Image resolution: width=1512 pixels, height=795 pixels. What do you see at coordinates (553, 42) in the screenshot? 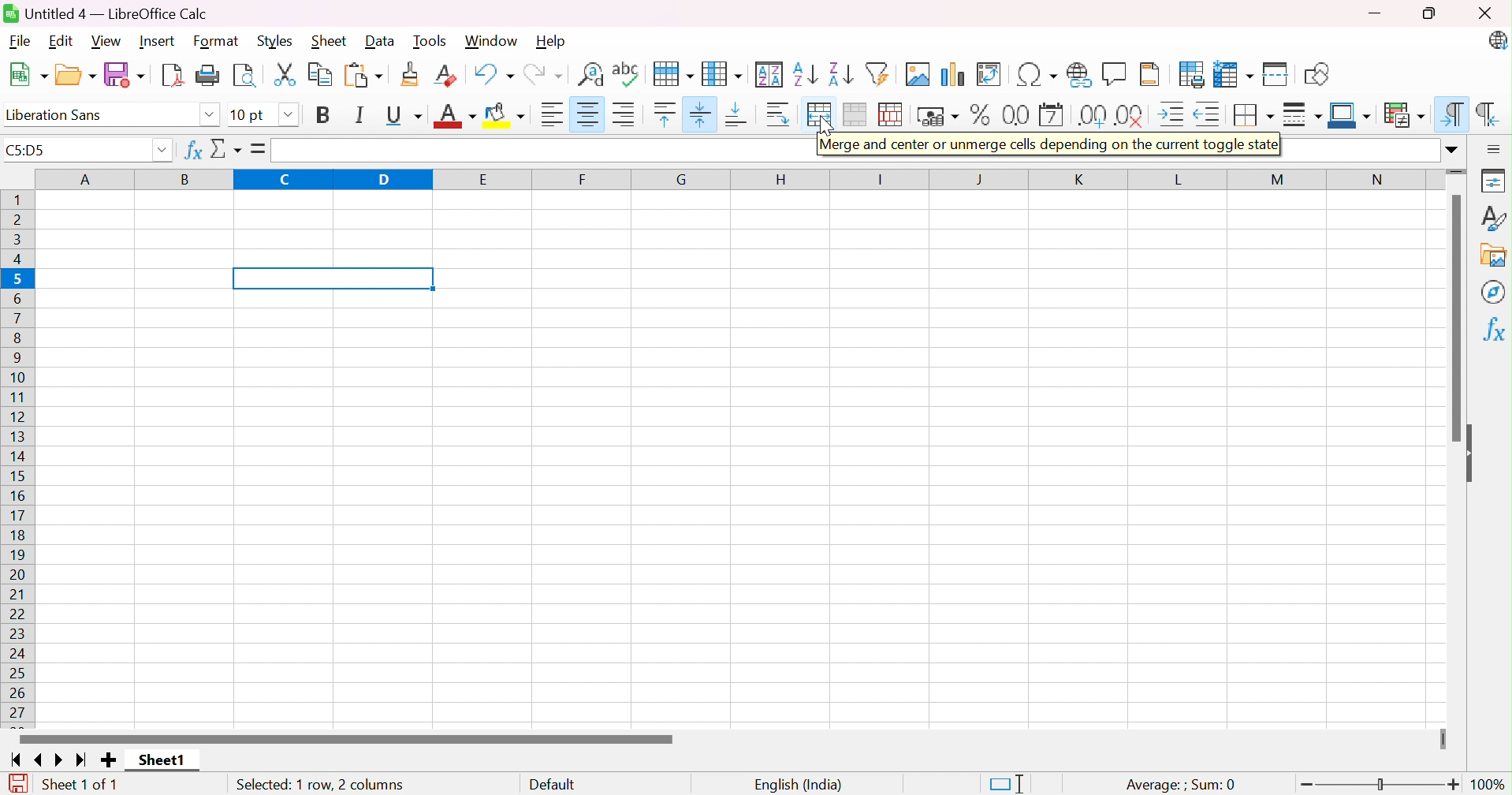
I see `Help` at bounding box center [553, 42].